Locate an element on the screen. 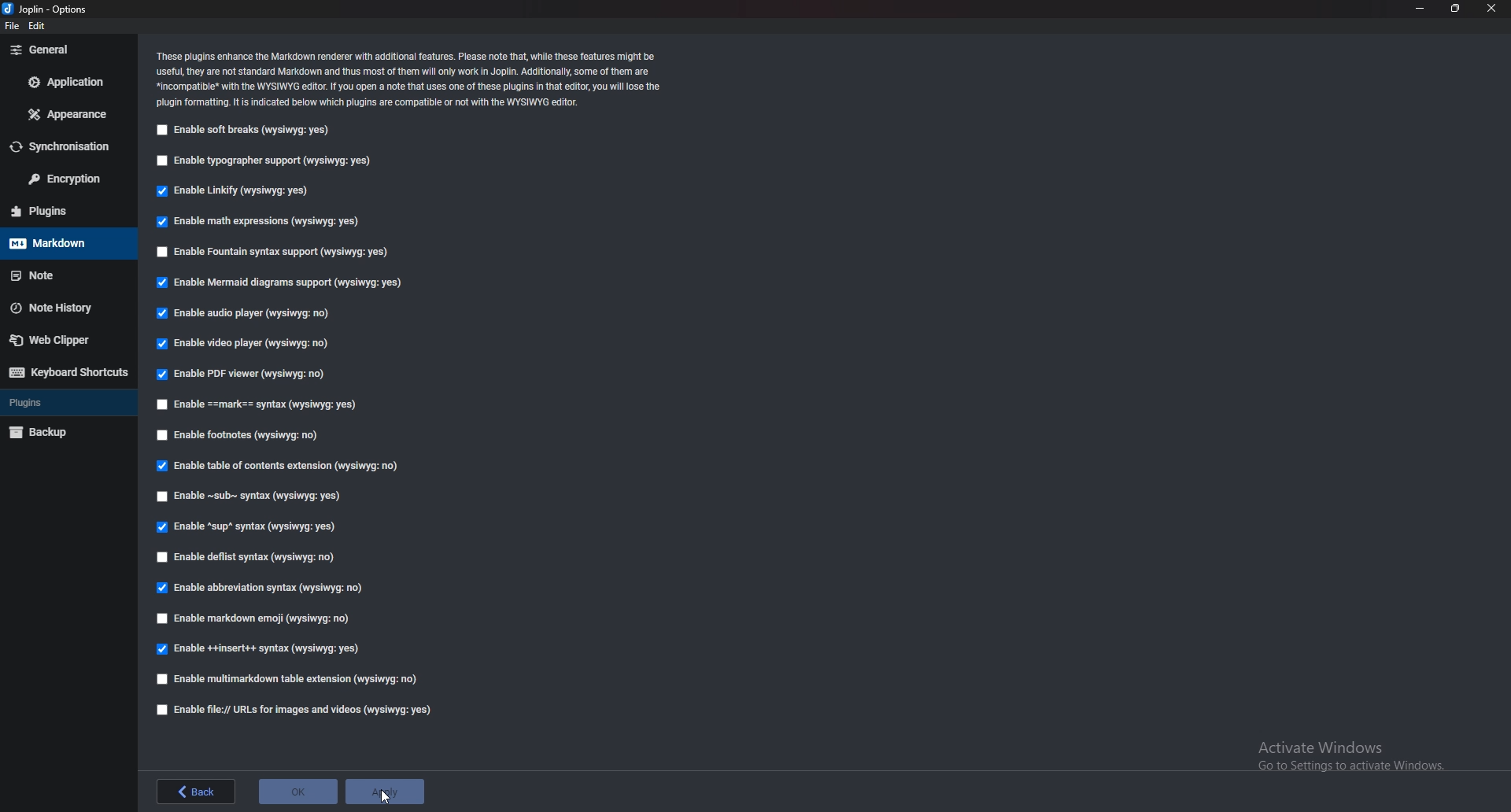 This screenshot has width=1511, height=812. note is located at coordinates (68, 273).